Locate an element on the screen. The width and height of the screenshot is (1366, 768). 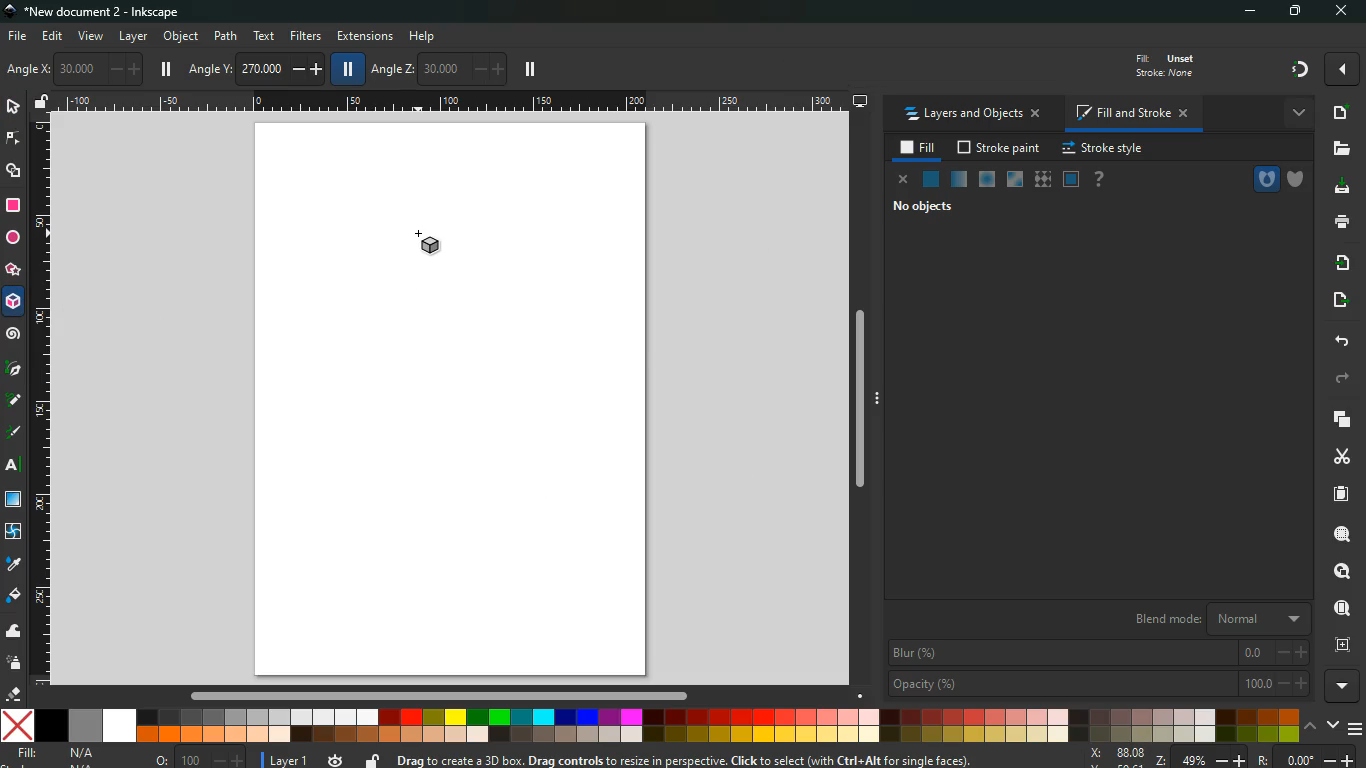
Ruler is located at coordinates (39, 400).